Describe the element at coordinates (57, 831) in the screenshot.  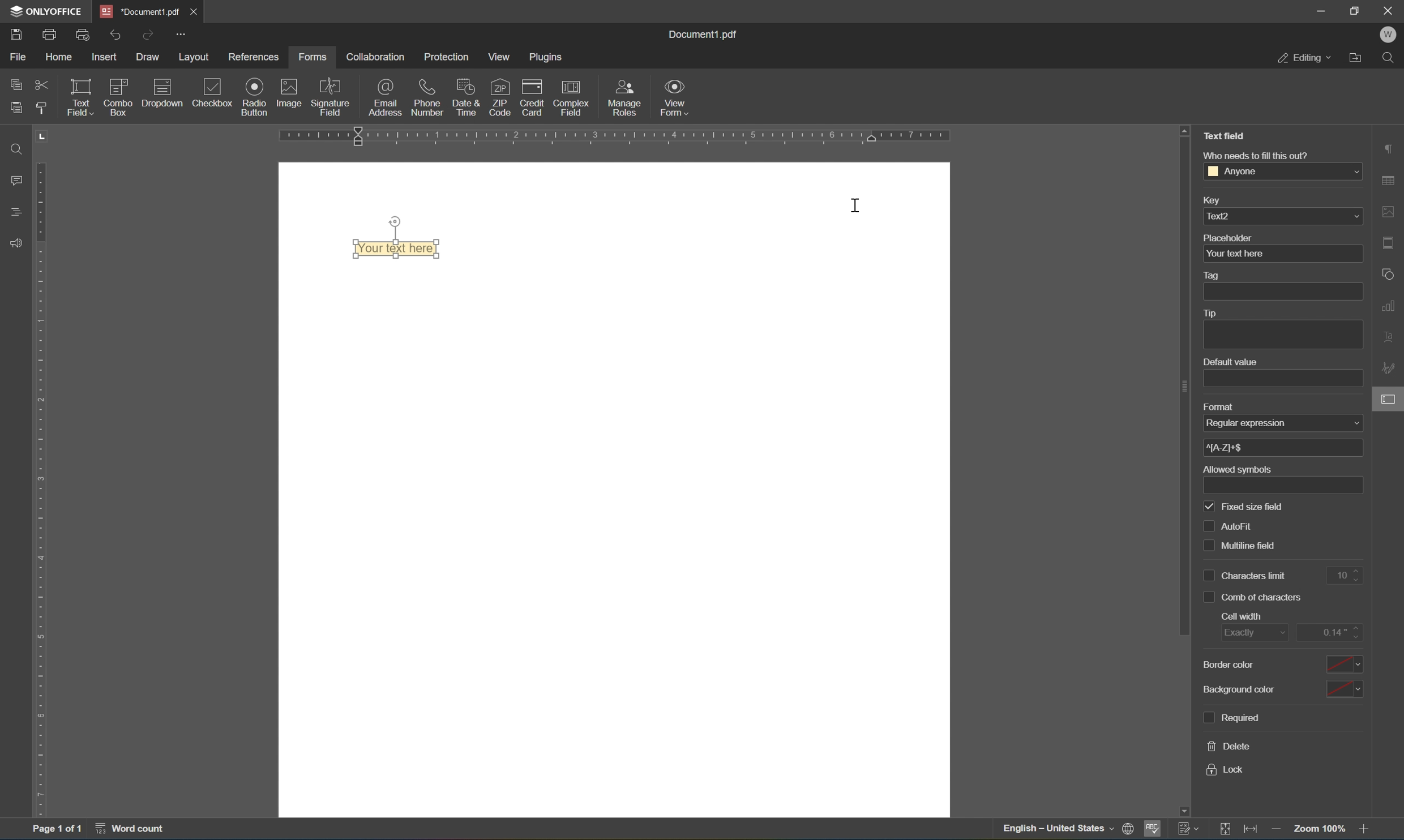
I see `page 1 of 1` at that location.